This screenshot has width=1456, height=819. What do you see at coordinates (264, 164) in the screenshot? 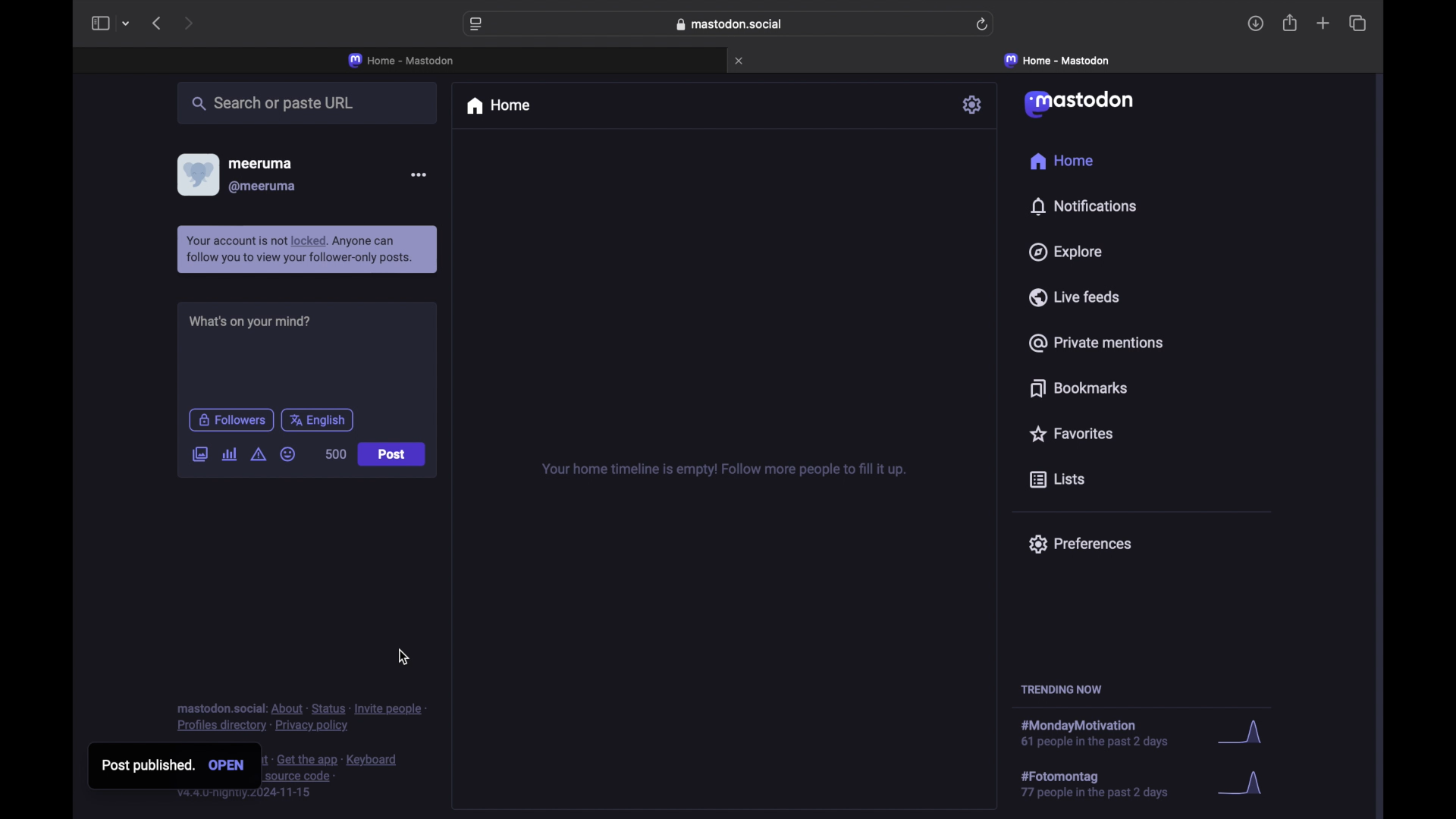
I see `meeruma` at bounding box center [264, 164].